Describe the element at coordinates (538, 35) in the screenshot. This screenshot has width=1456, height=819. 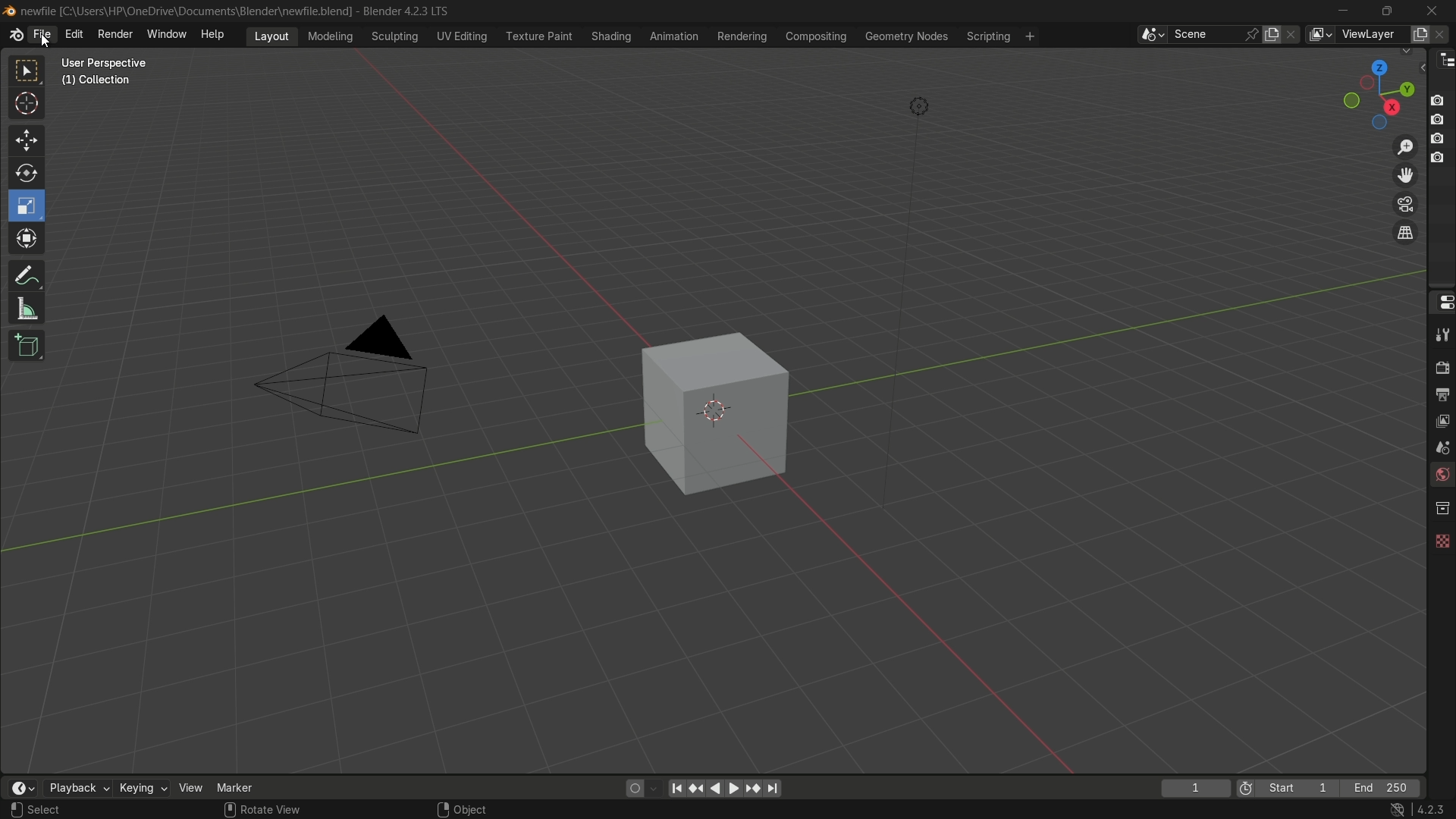
I see `texture paint menu` at that location.